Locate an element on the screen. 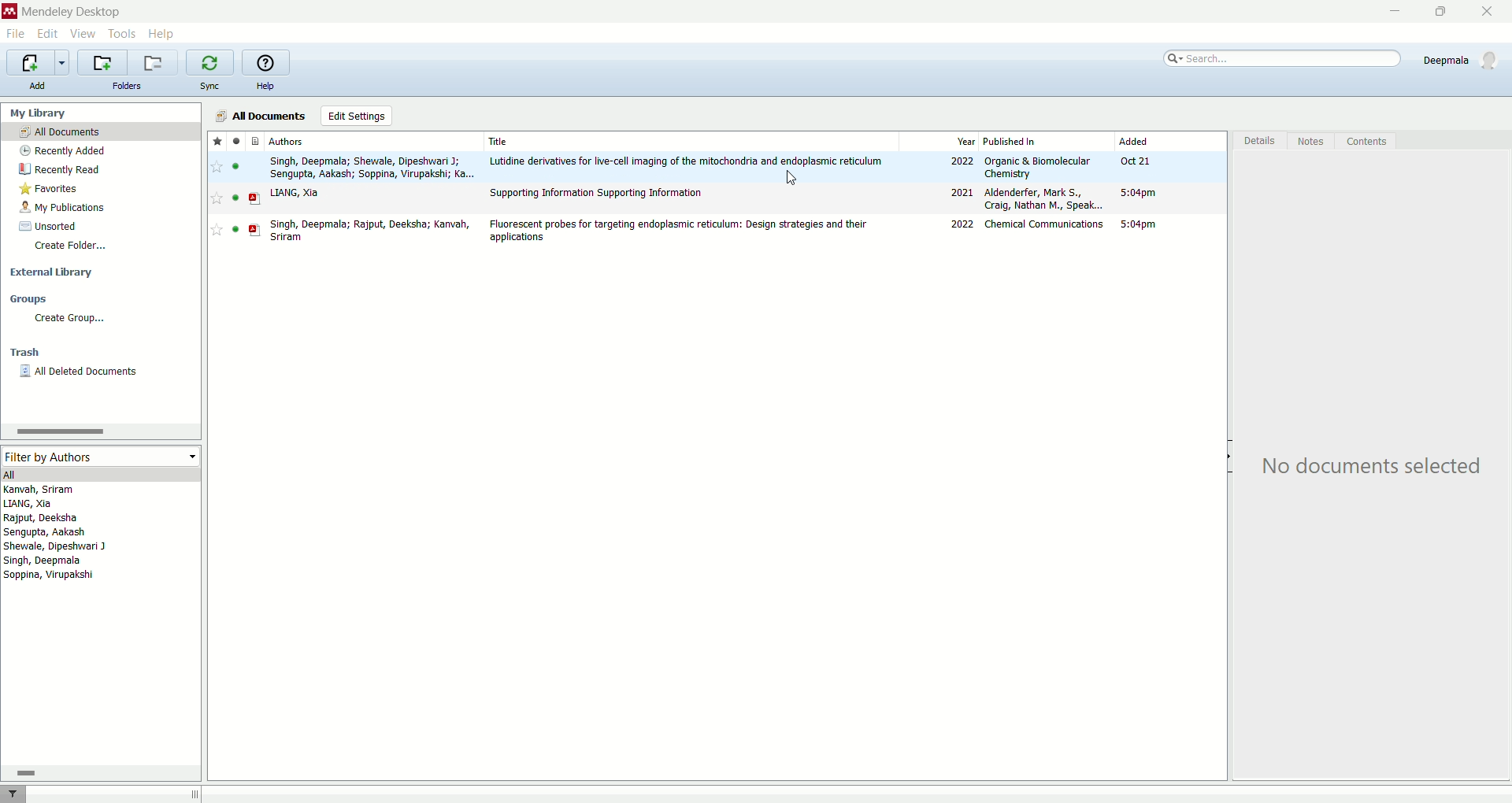 Image resolution: width=1512 pixels, height=803 pixels. create folder is located at coordinates (73, 247).